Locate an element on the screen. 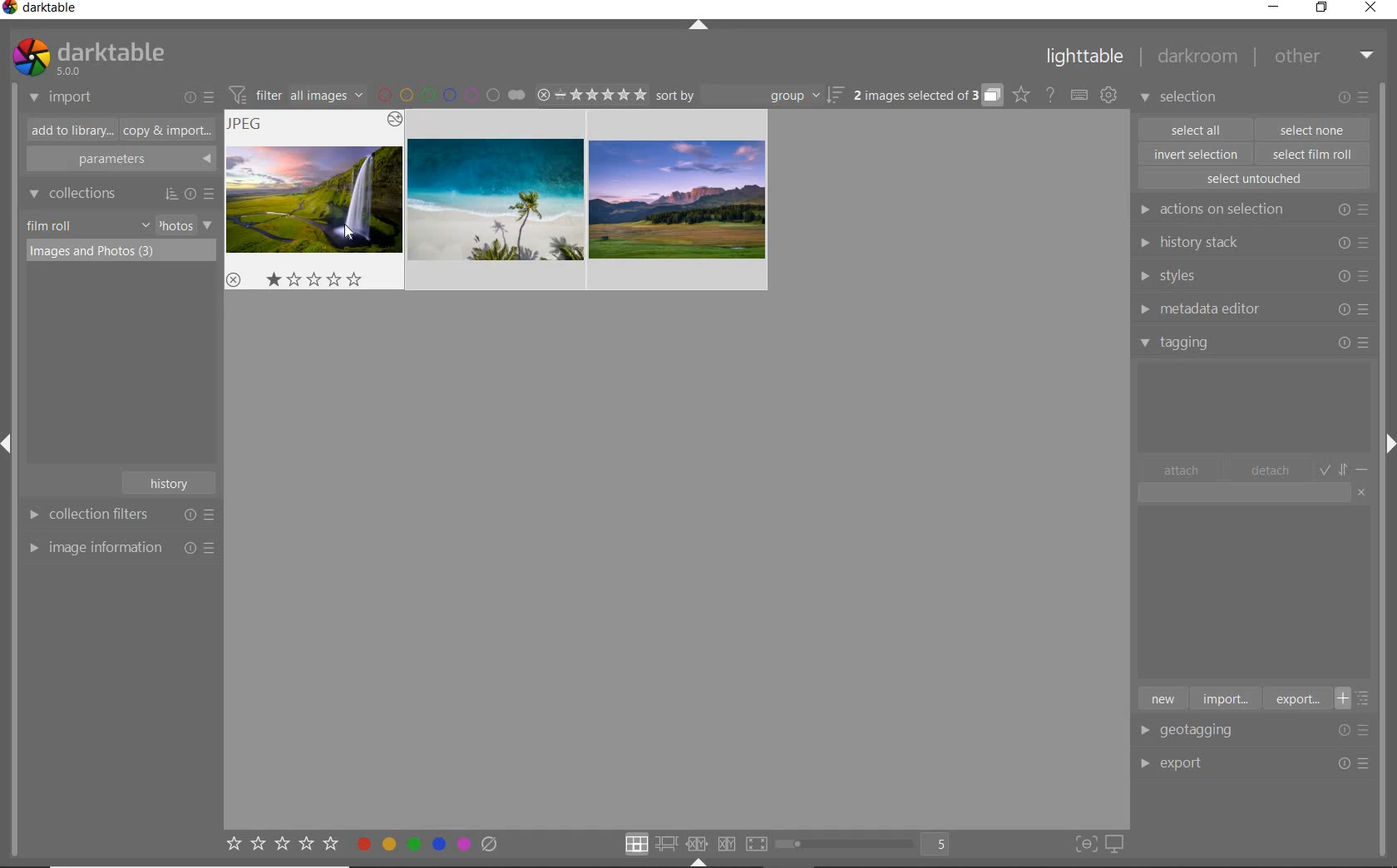 The height and width of the screenshot is (868, 1397). help online is located at coordinates (1050, 94).